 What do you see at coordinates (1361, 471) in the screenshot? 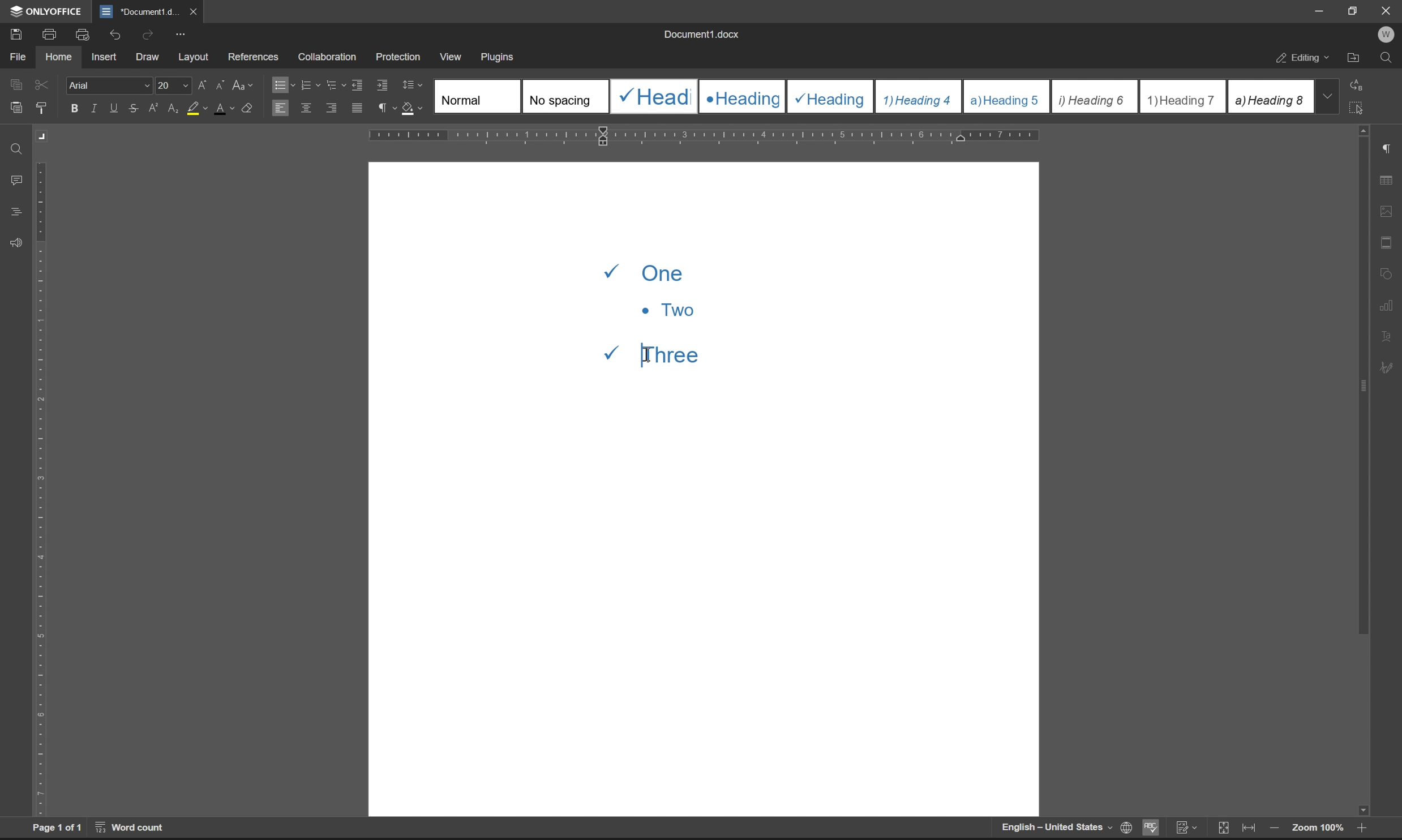
I see `scroll bar` at bounding box center [1361, 471].